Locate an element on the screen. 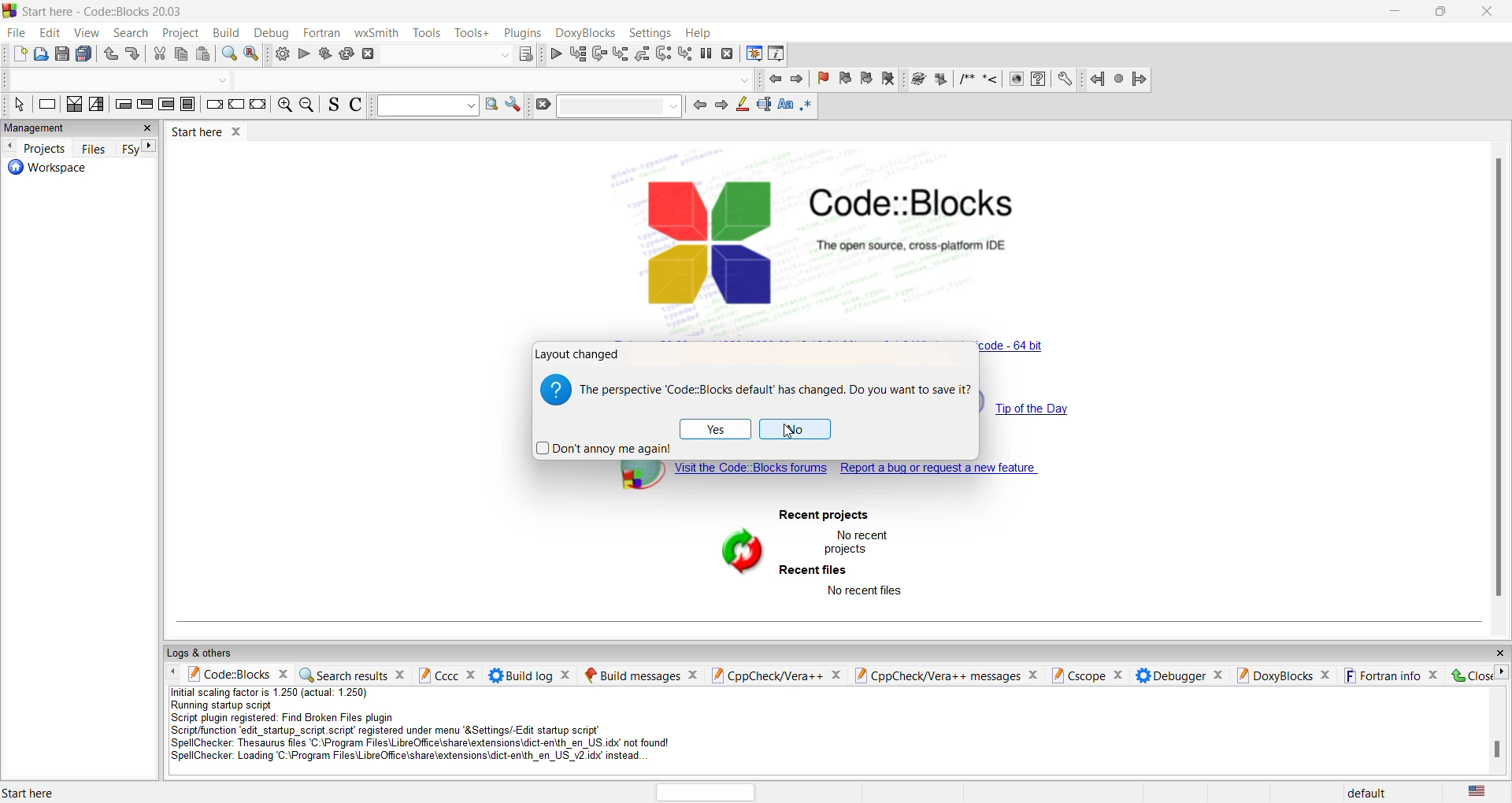  break instruction is located at coordinates (188, 105).